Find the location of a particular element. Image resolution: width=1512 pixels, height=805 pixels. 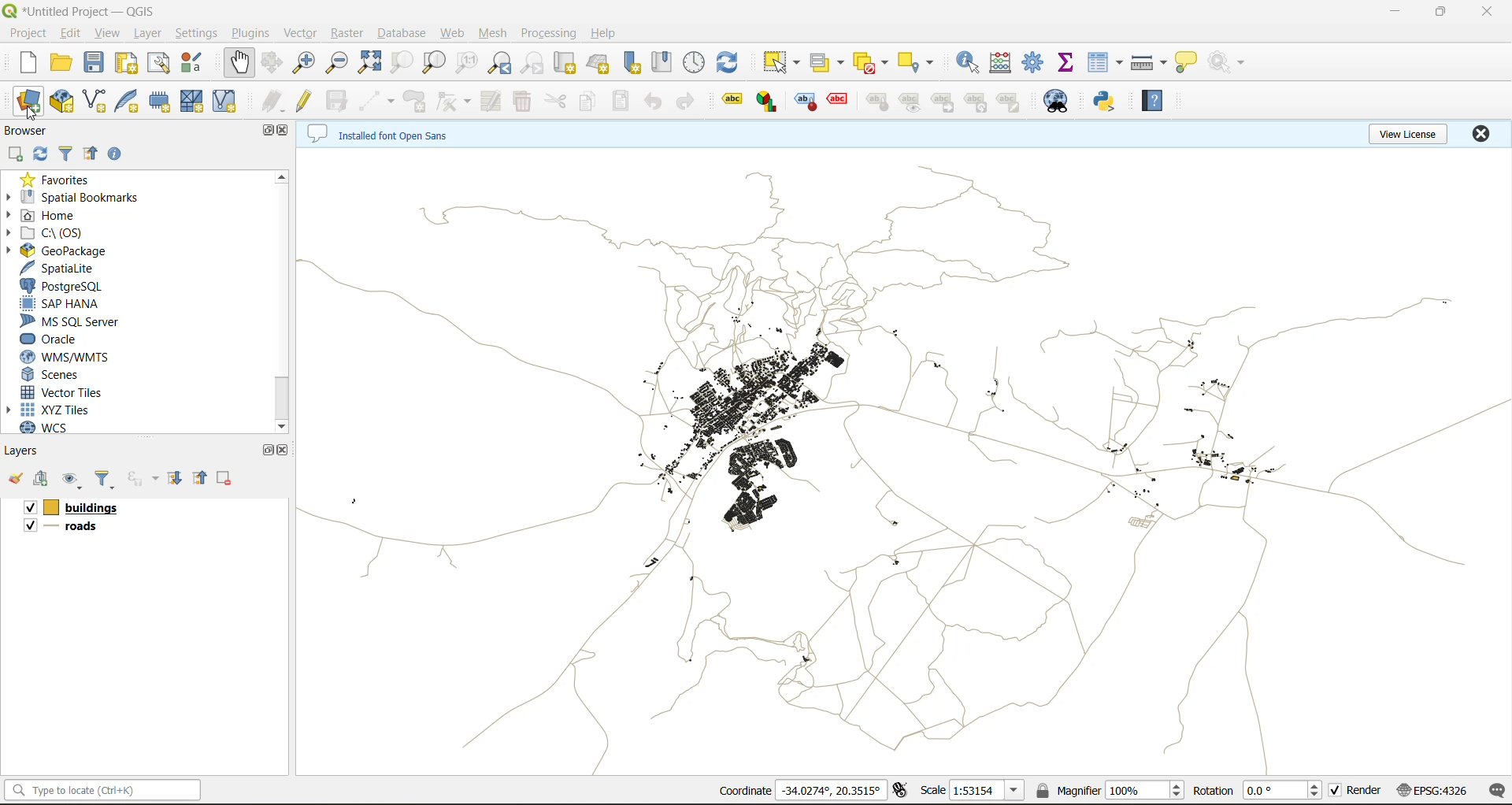

no action is located at coordinates (1229, 62).